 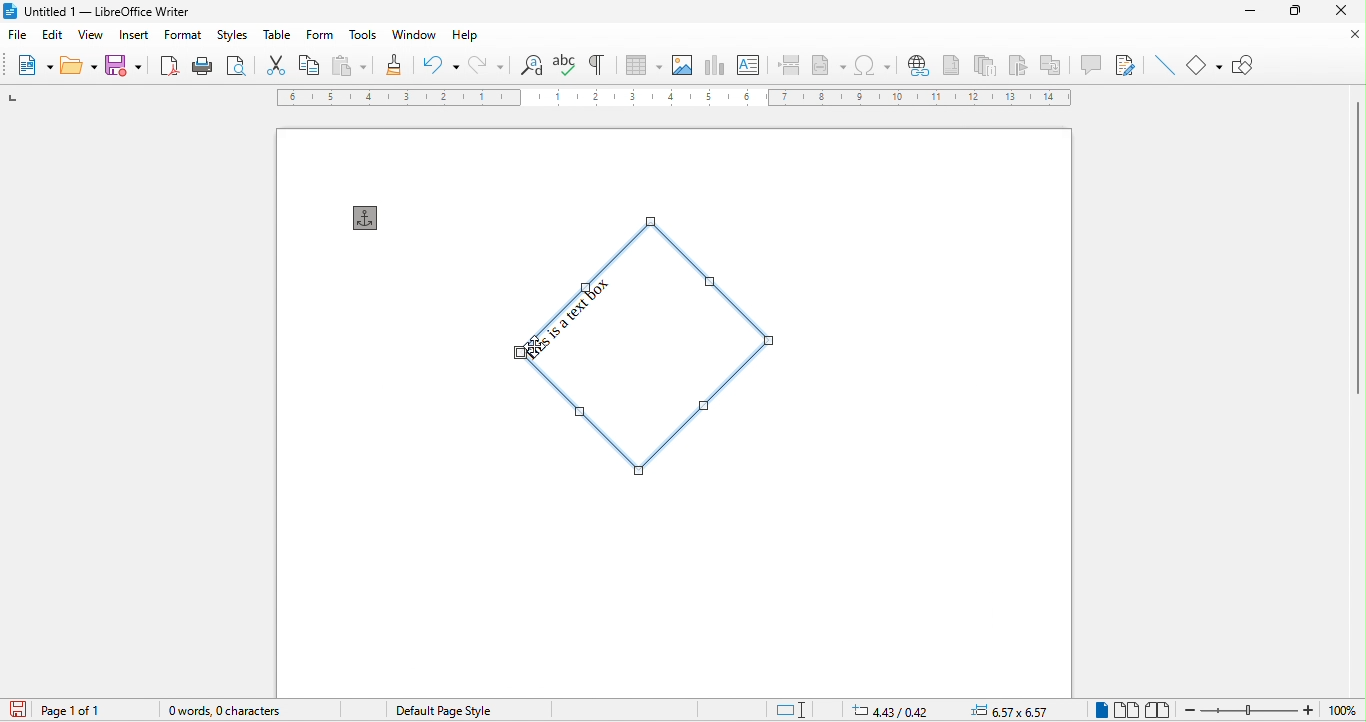 I want to click on show draw function, so click(x=1245, y=62).